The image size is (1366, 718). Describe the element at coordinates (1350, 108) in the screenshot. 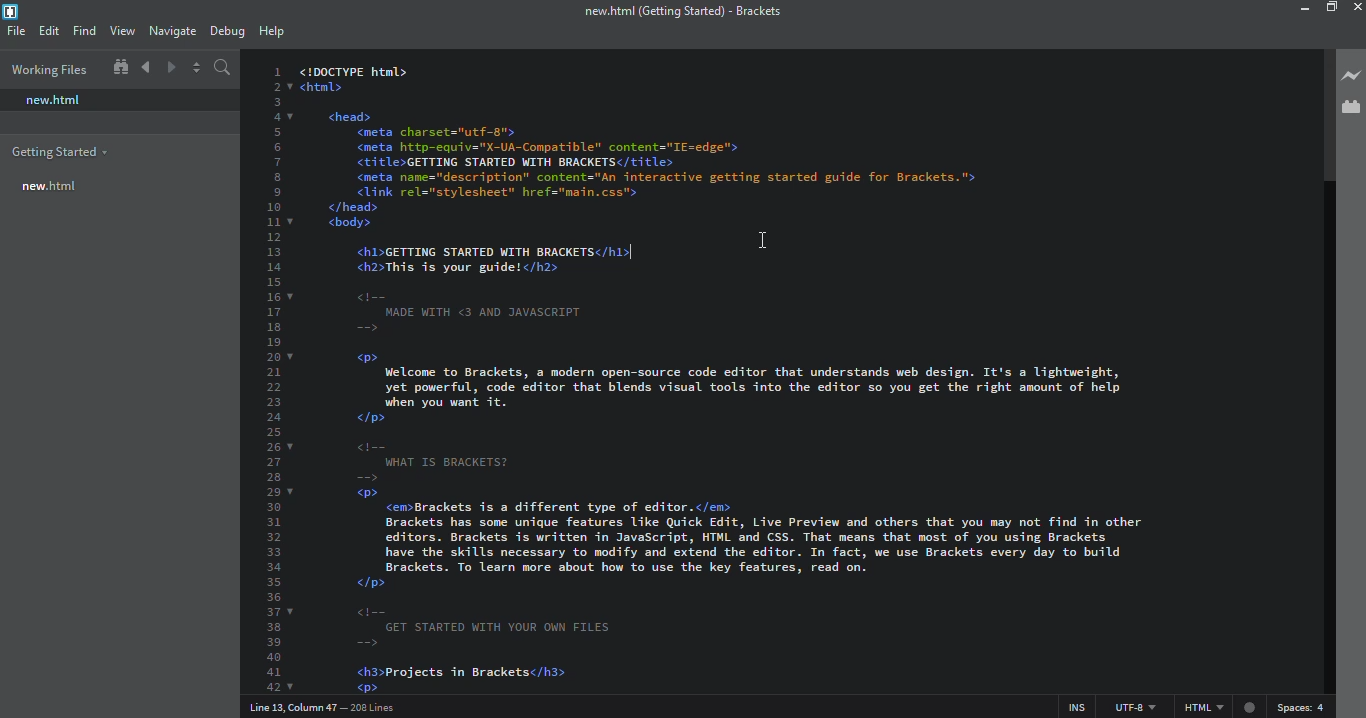

I see `extension manager` at that location.